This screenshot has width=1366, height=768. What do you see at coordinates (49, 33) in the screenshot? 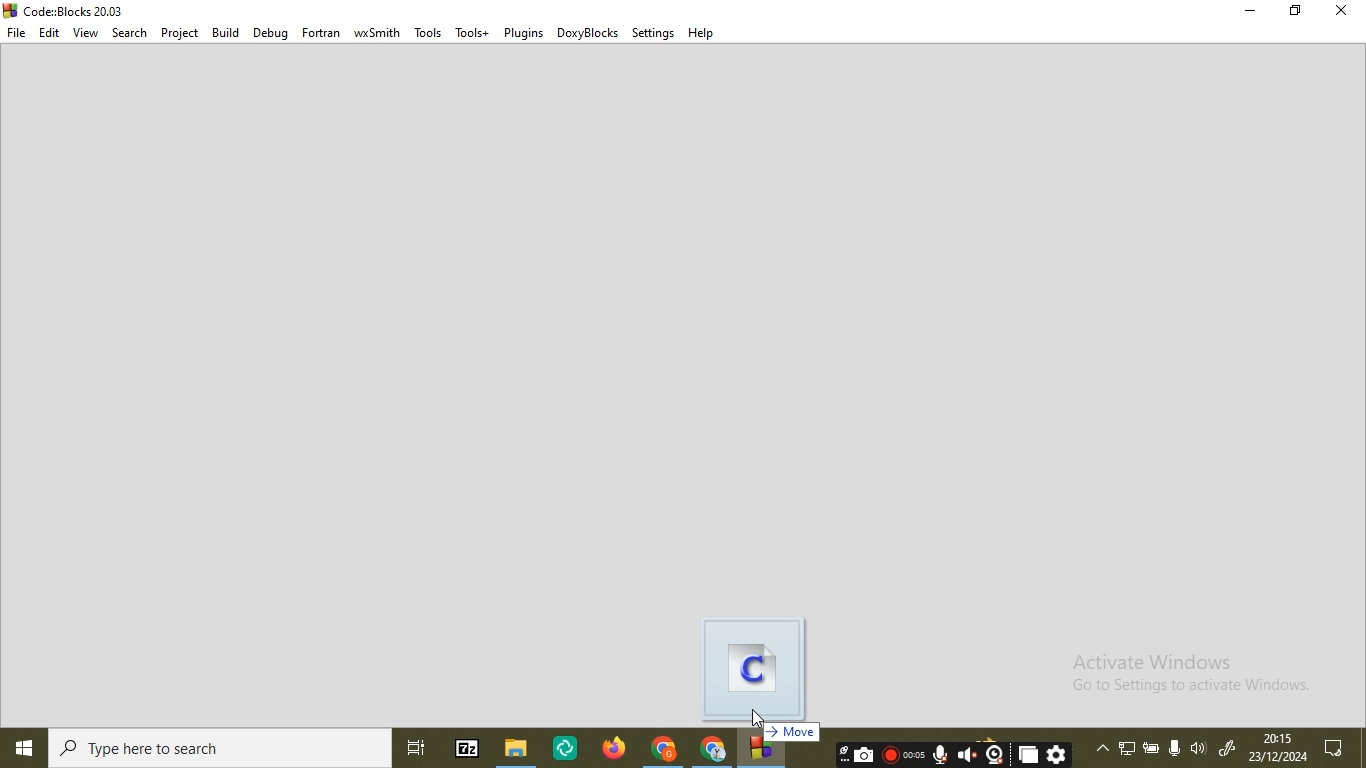
I see `Edit ` at bounding box center [49, 33].